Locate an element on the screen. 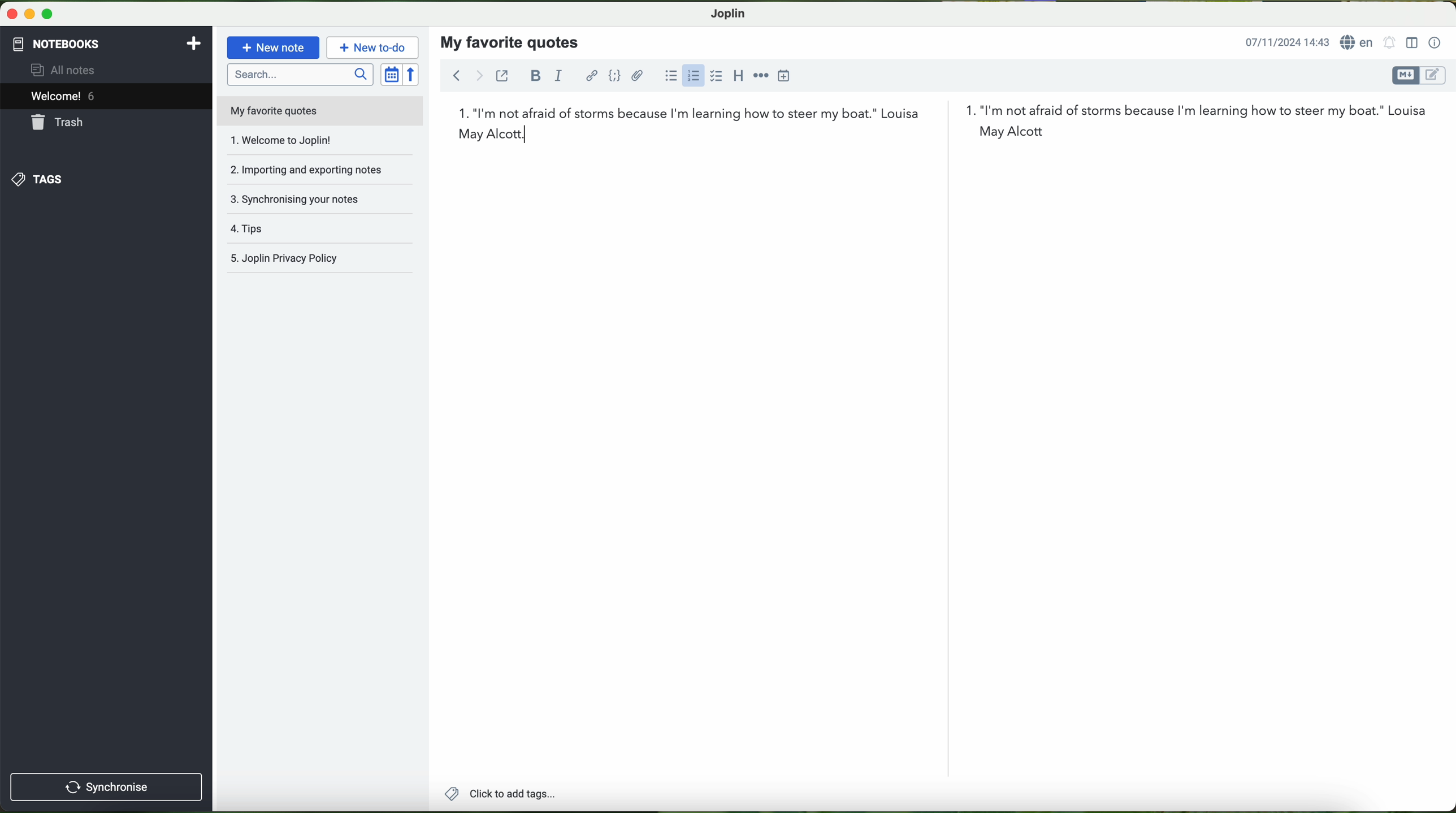 The image size is (1456, 813). close is located at coordinates (9, 16).